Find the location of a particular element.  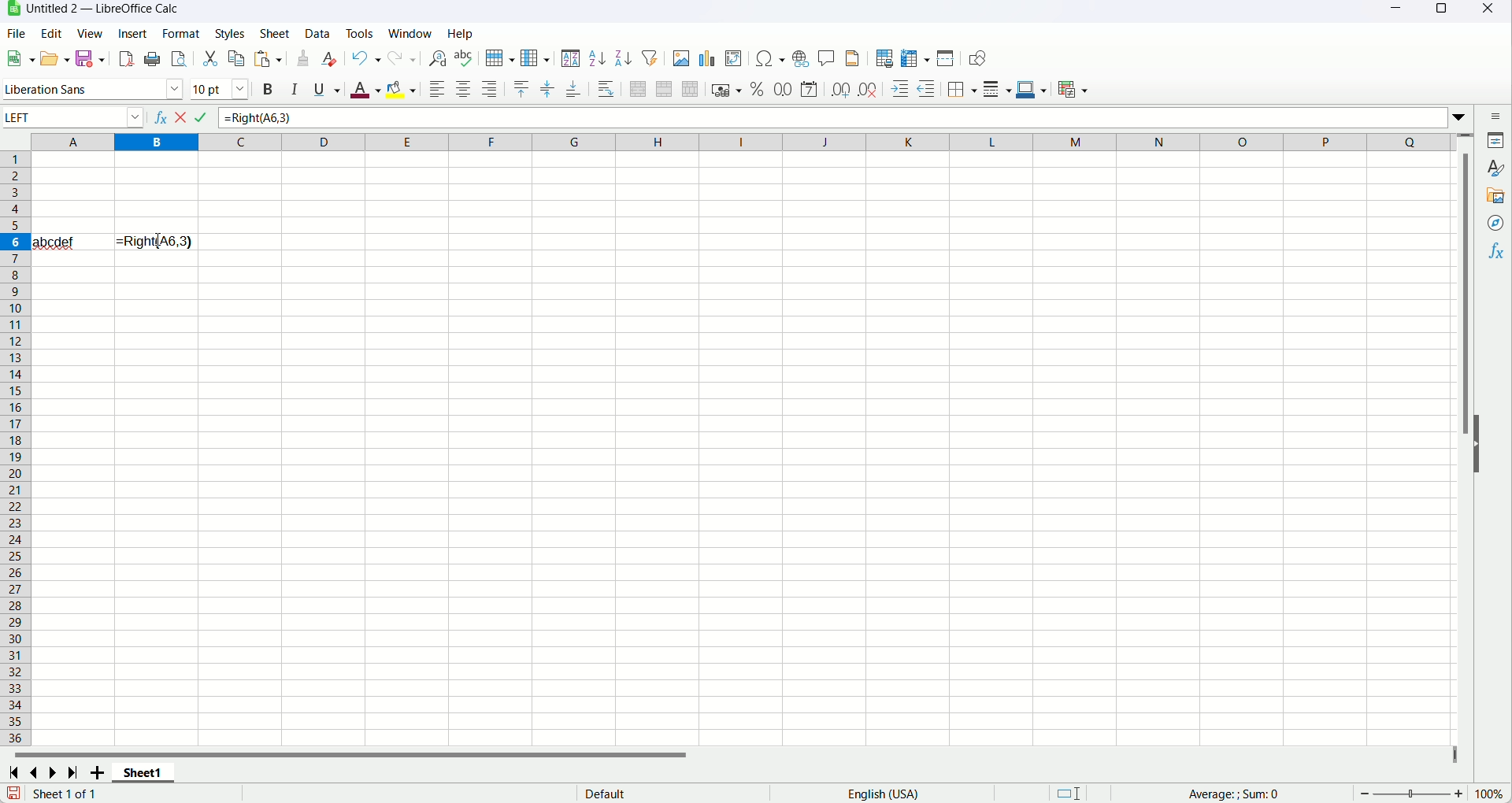

align bottom is located at coordinates (573, 90).